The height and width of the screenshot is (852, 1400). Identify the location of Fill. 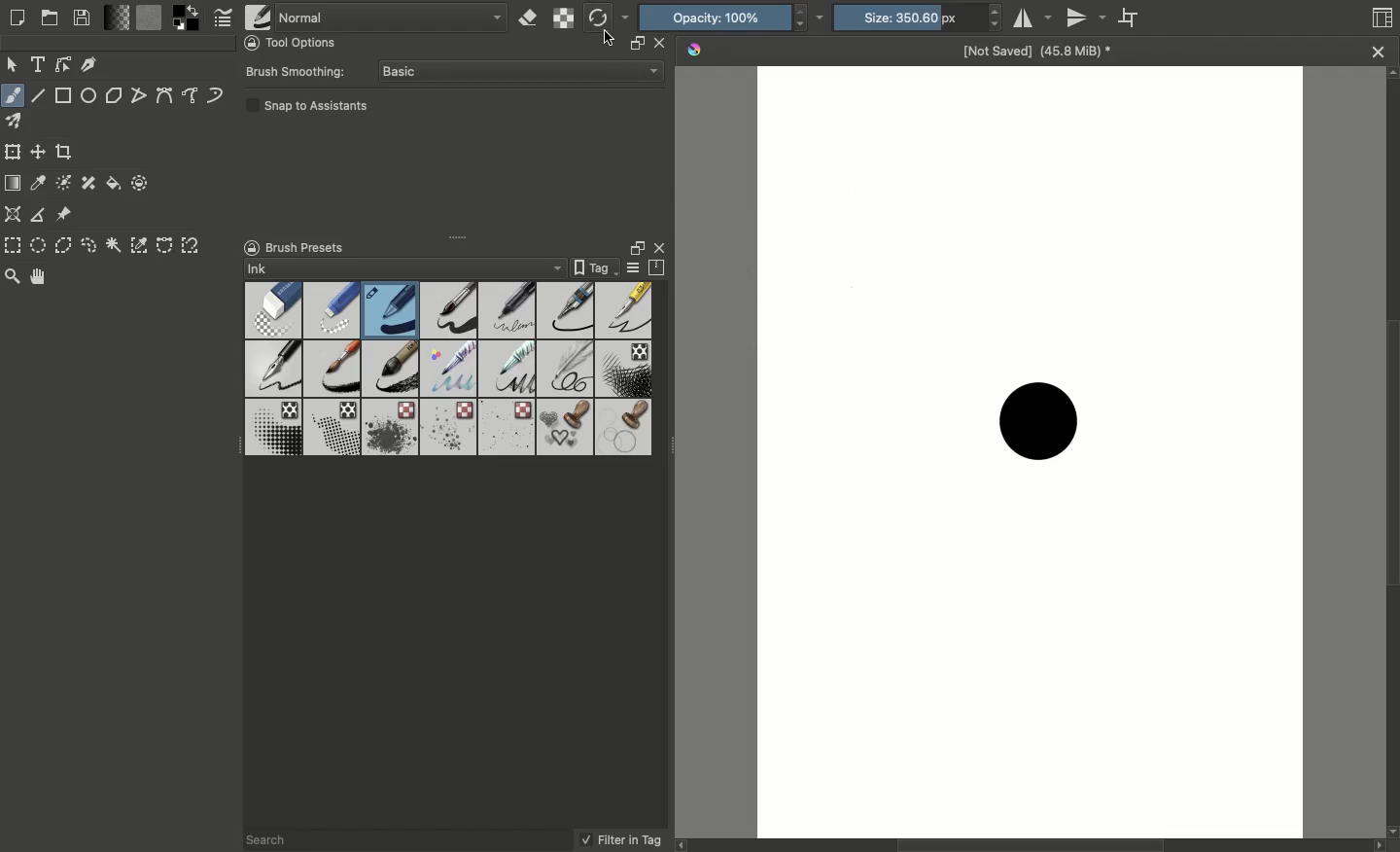
(114, 183).